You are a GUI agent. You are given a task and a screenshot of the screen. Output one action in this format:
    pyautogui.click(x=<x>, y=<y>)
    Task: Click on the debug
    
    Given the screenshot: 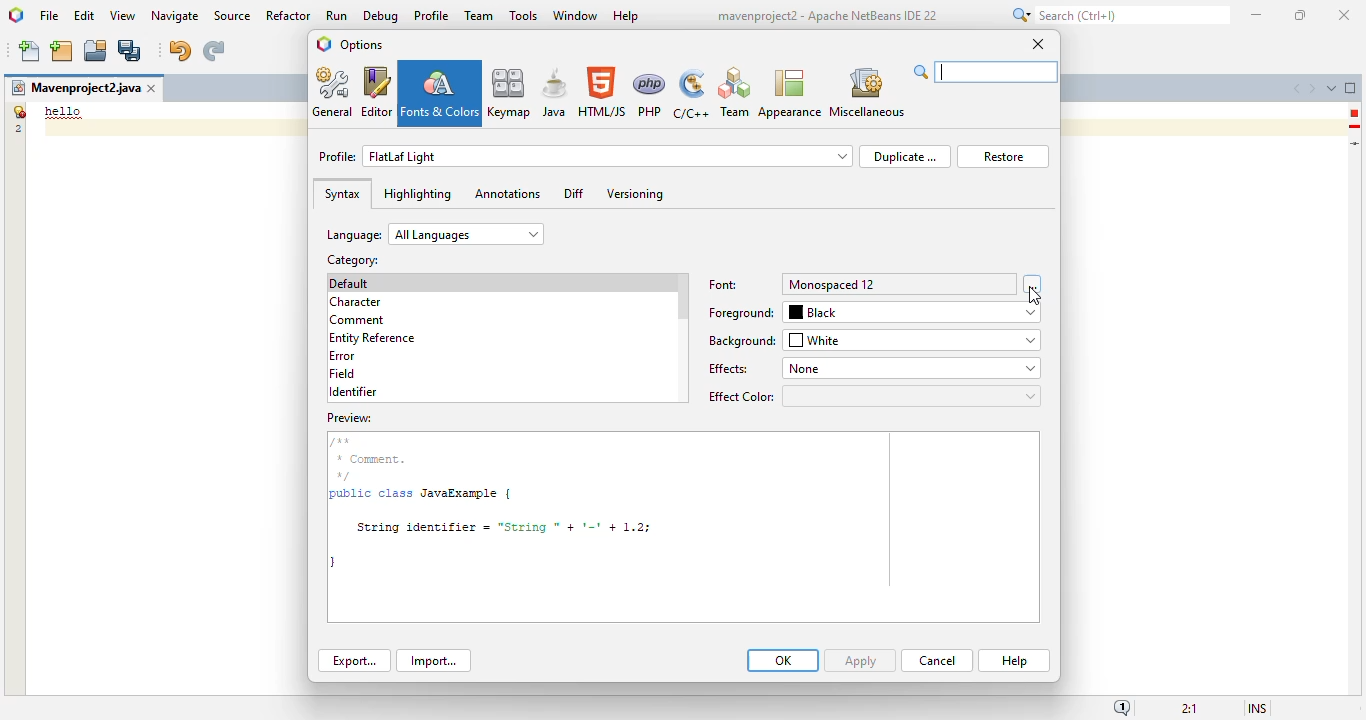 What is the action you would take?
    pyautogui.click(x=382, y=16)
    